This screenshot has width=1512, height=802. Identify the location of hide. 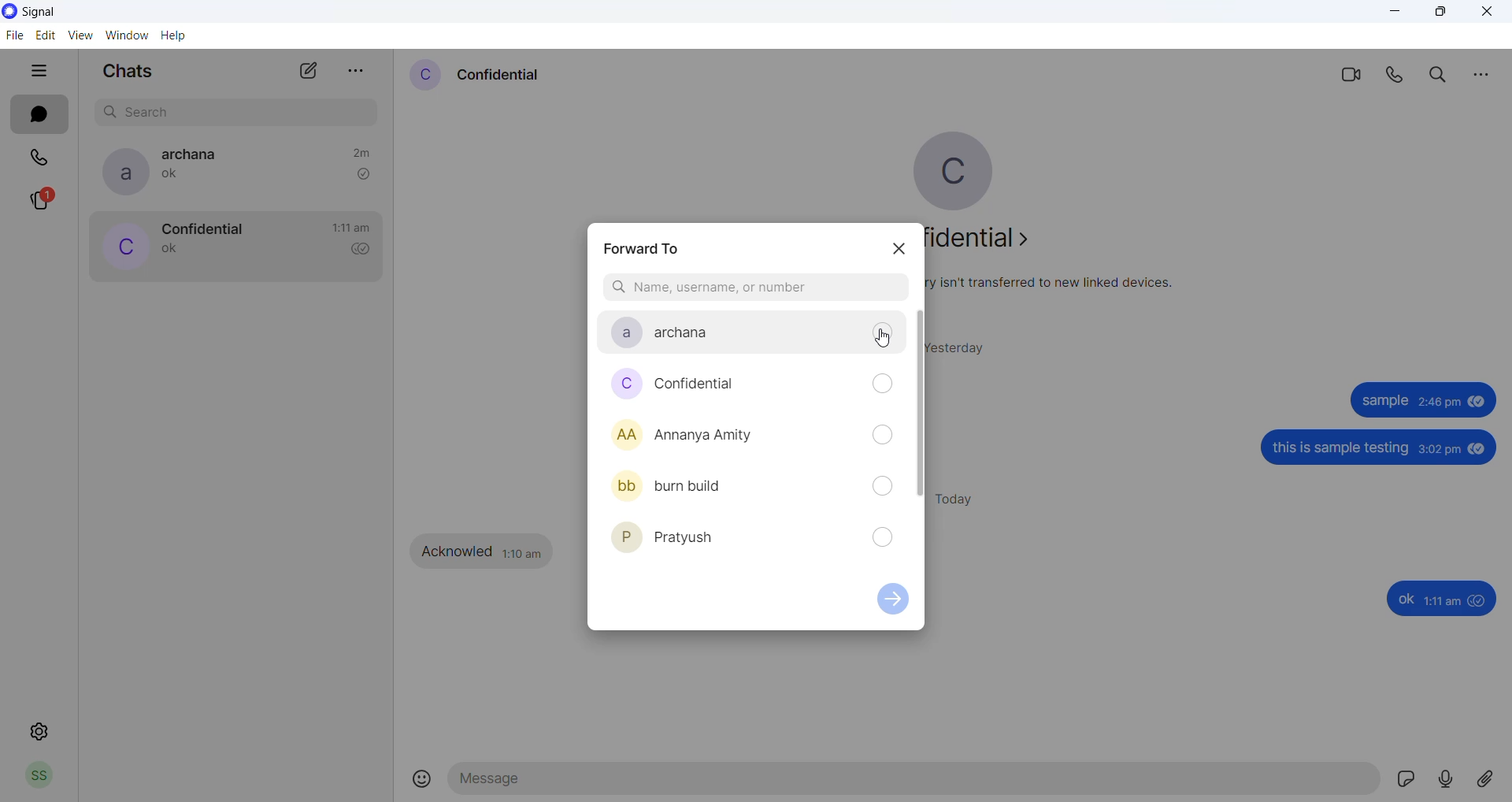
(39, 72).